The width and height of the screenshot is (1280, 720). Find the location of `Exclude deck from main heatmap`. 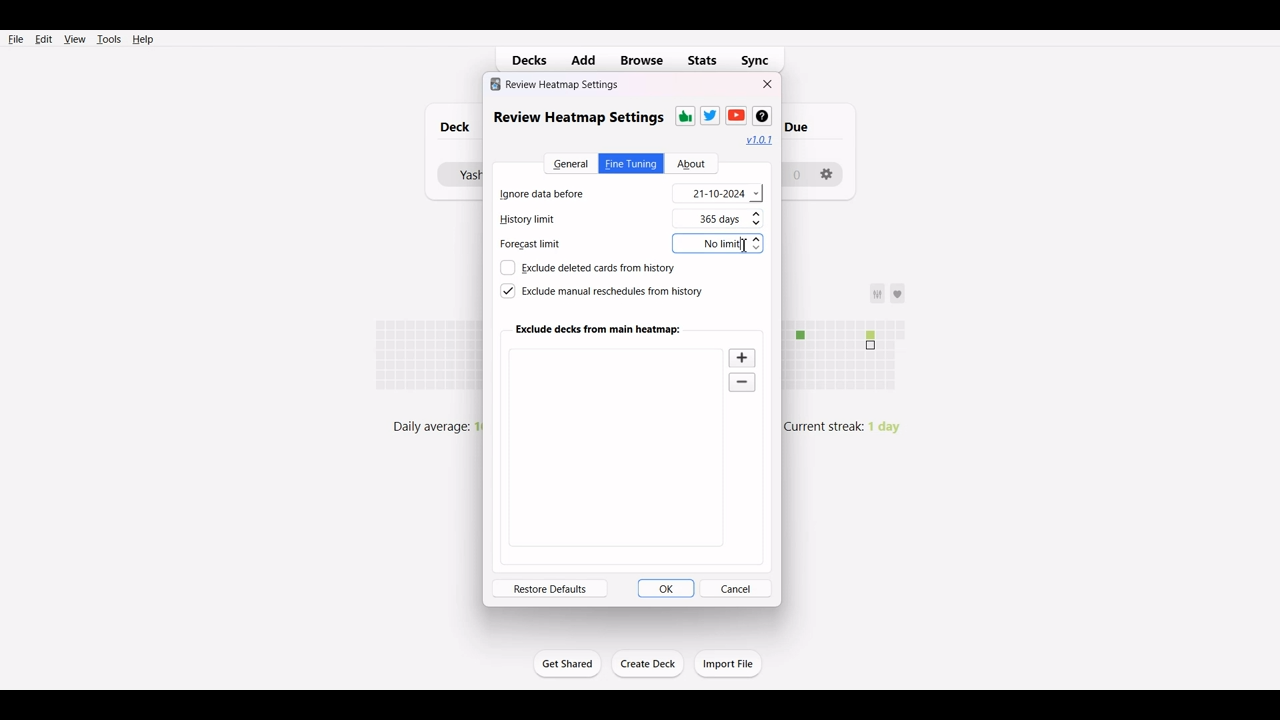

Exclude deck from main heatmap is located at coordinates (599, 329).